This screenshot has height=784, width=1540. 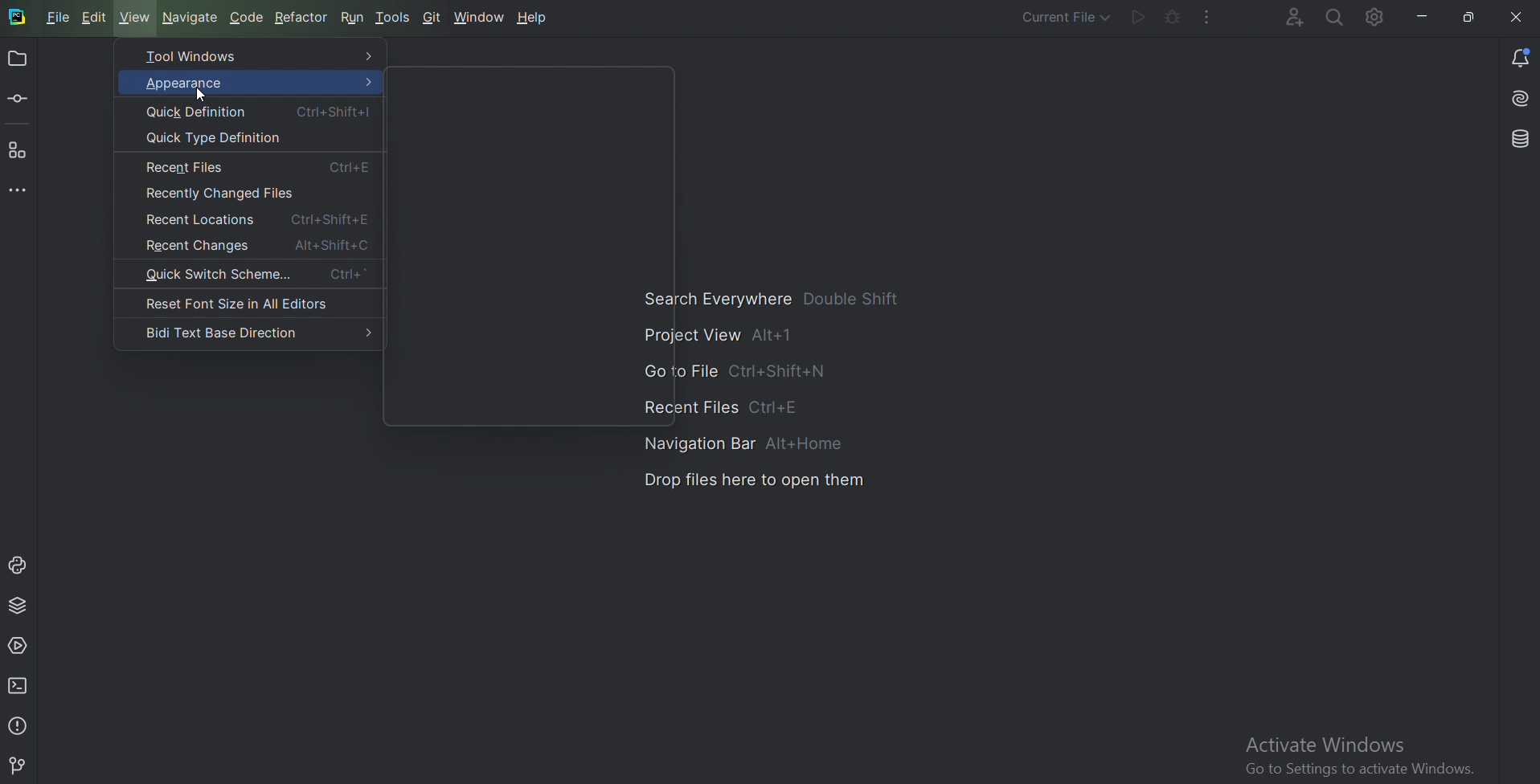 What do you see at coordinates (22, 99) in the screenshot?
I see `commit` at bounding box center [22, 99].